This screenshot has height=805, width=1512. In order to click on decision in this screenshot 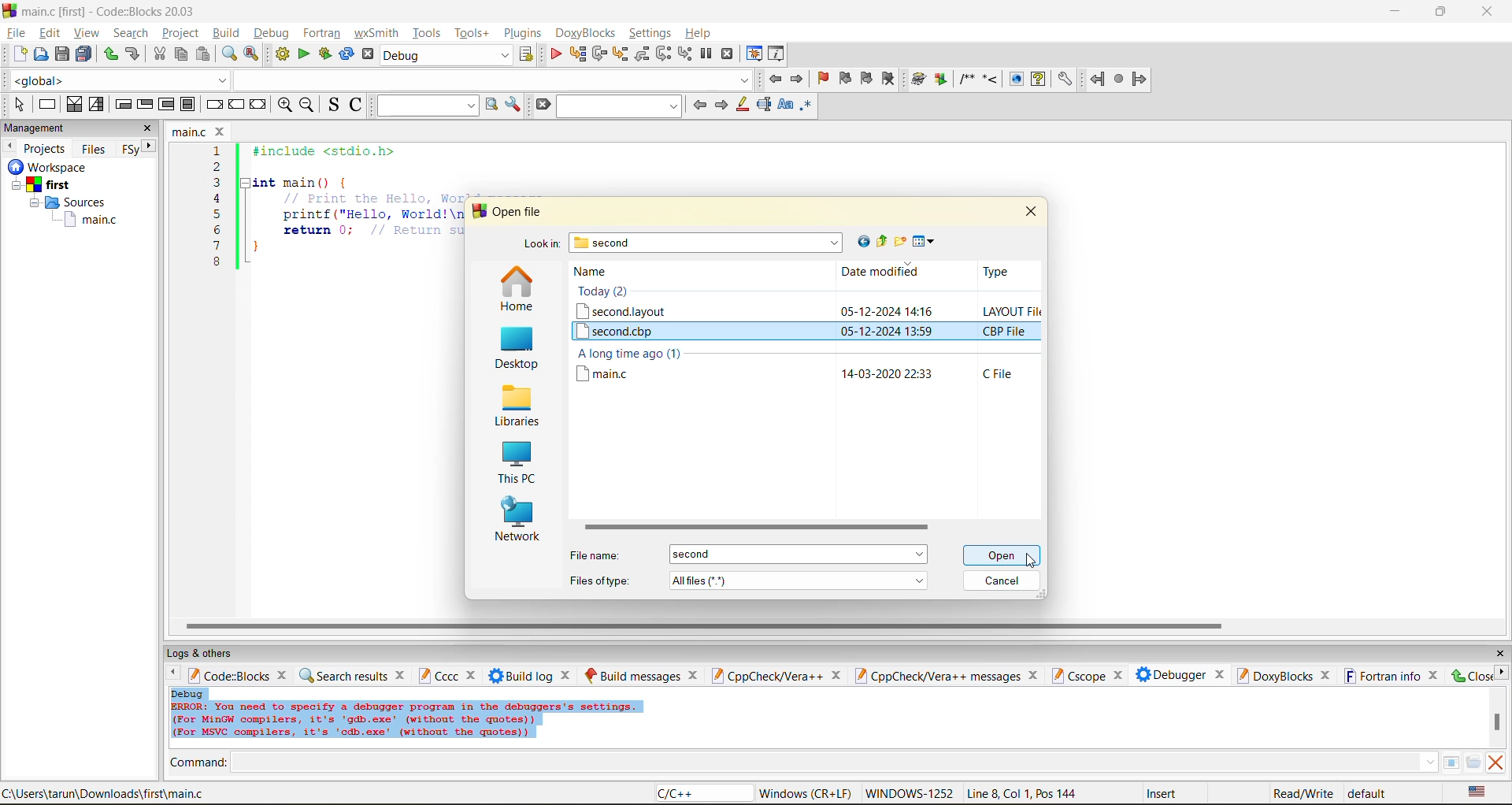, I will do `click(73, 104)`.